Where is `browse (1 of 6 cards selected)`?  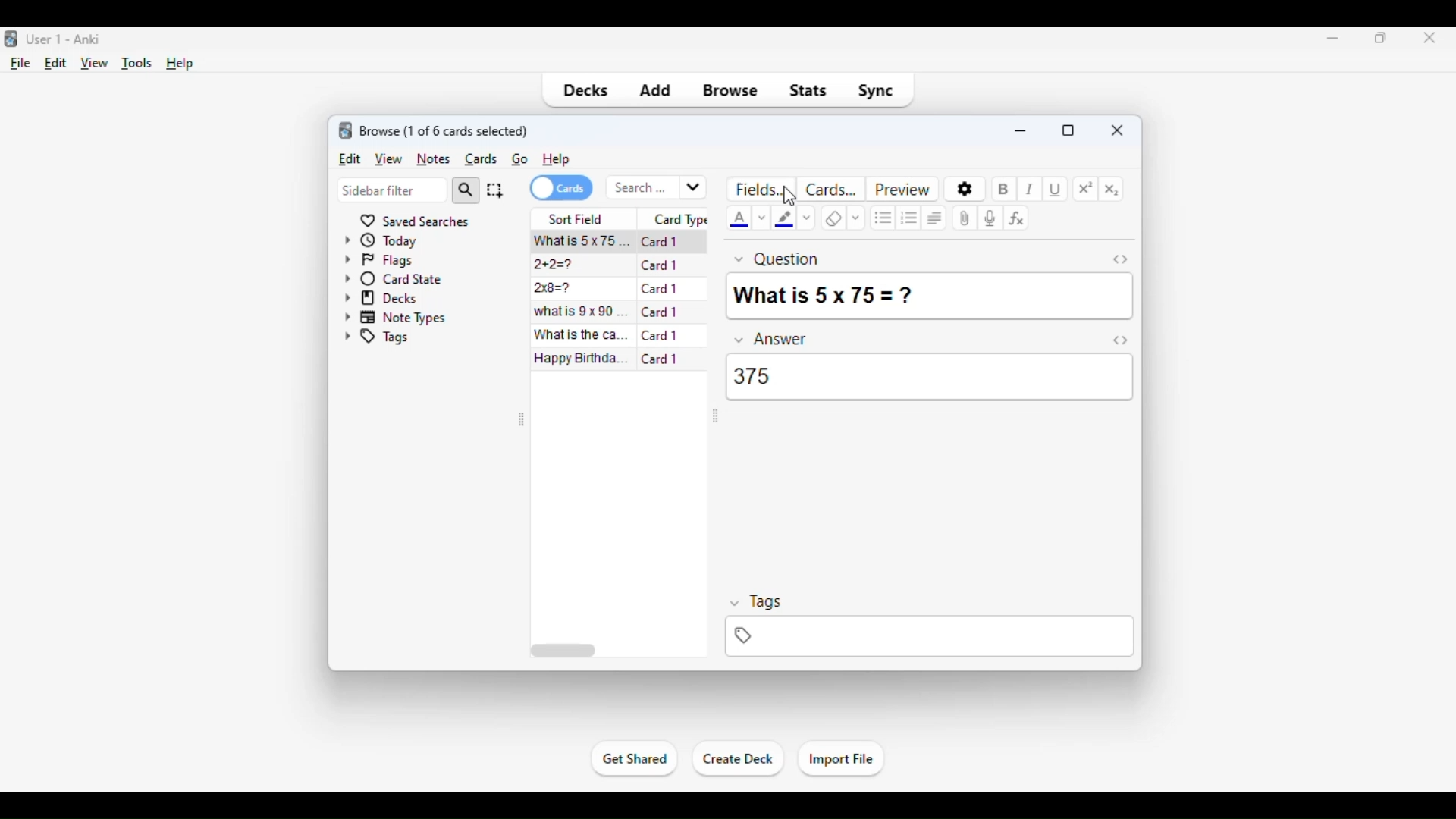
browse (1 of 6 cards selected) is located at coordinates (445, 130).